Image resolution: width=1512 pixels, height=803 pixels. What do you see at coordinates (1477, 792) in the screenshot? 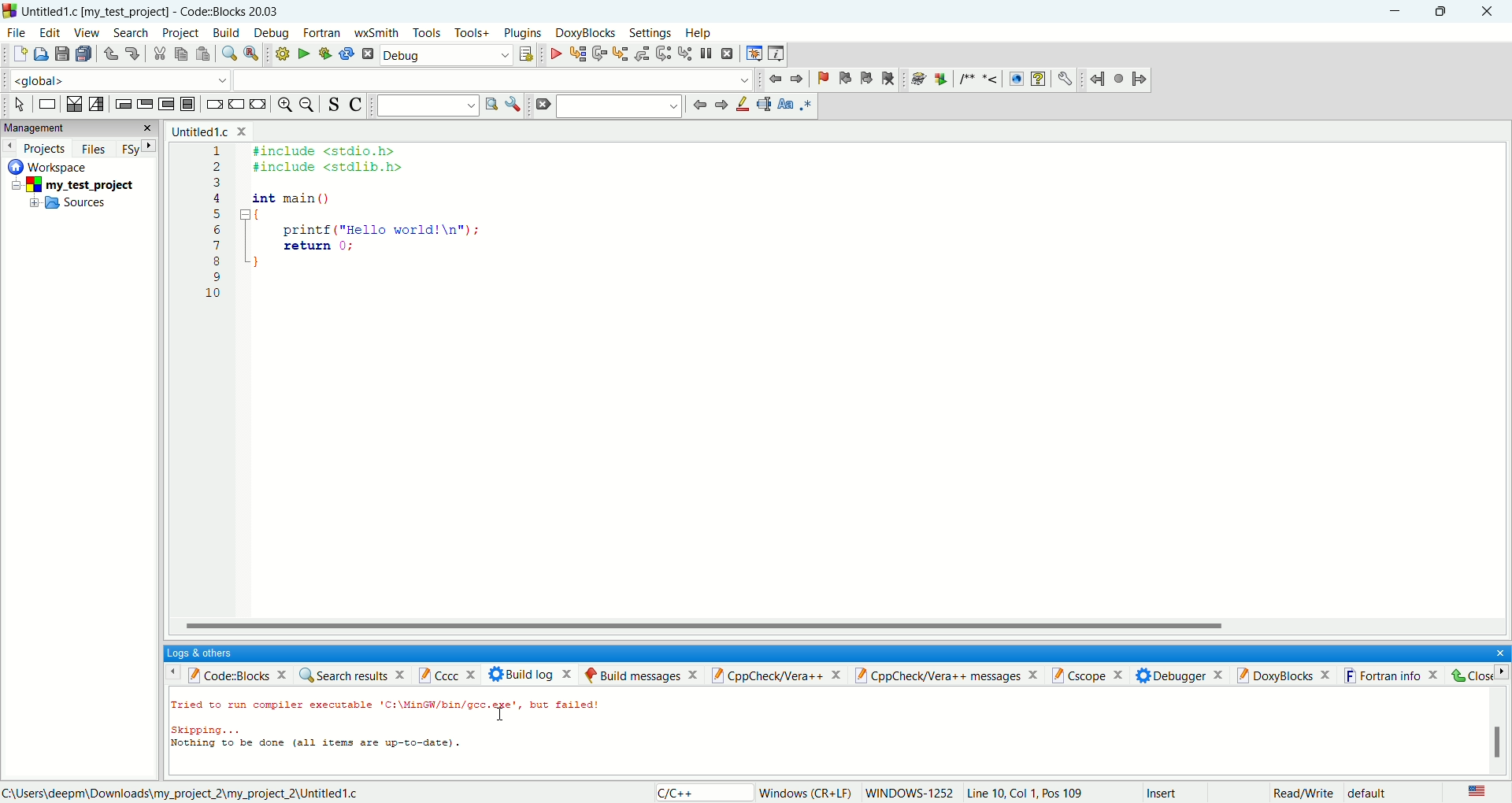
I see `language` at bounding box center [1477, 792].